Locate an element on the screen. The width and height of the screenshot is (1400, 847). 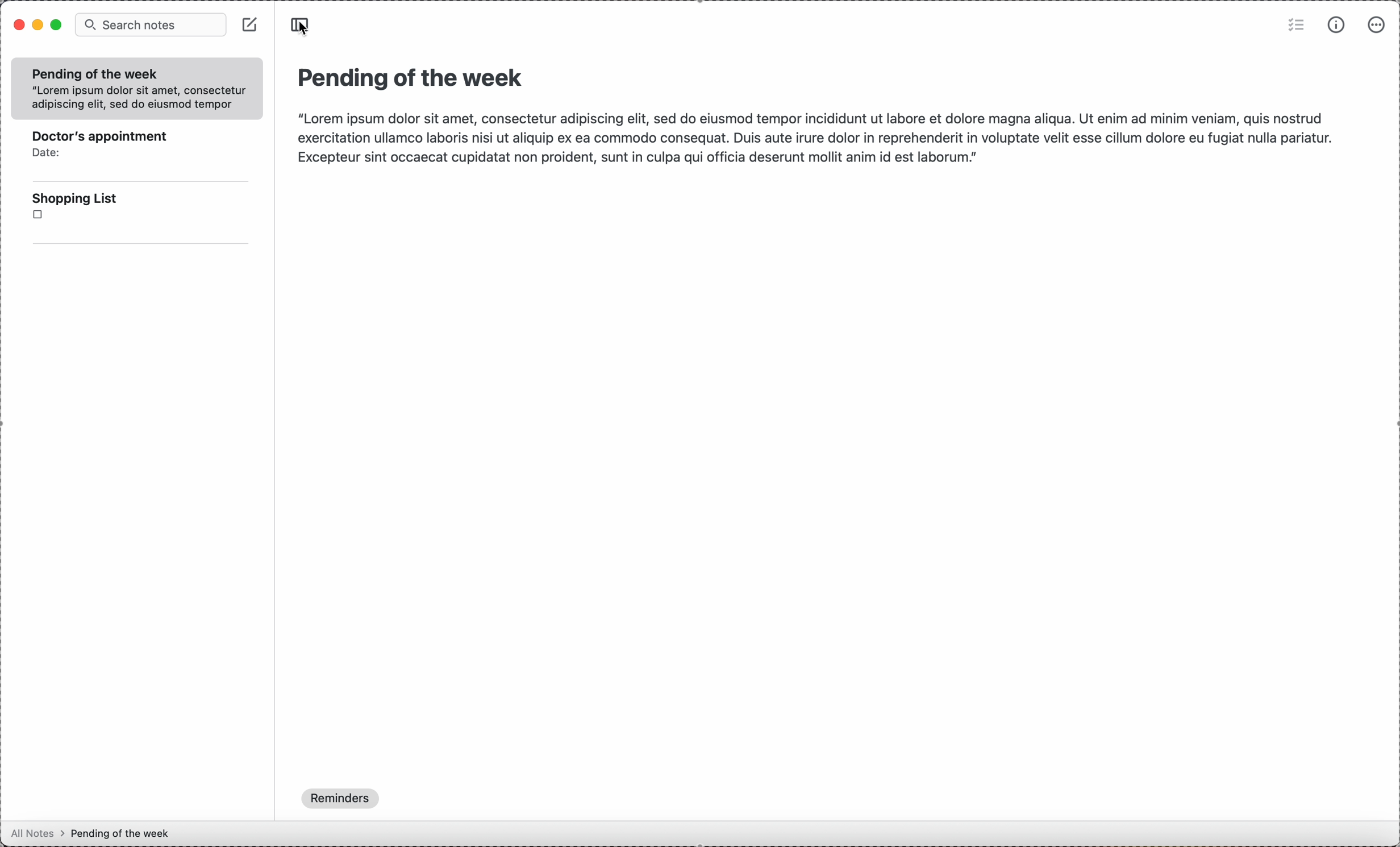
all notes > pending of the week is located at coordinates (95, 832).